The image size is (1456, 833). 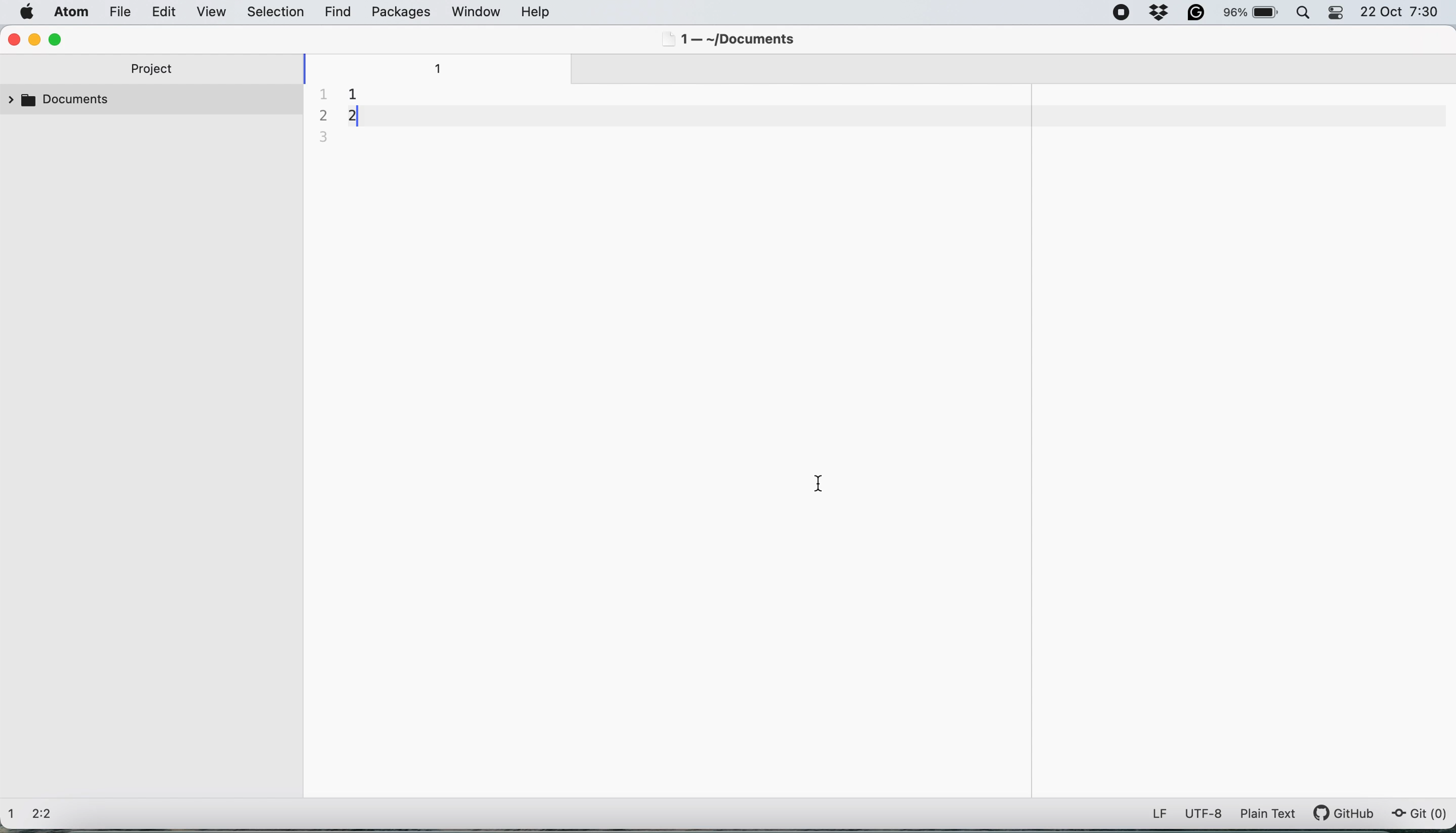 I want to click on git hub, so click(x=1345, y=814).